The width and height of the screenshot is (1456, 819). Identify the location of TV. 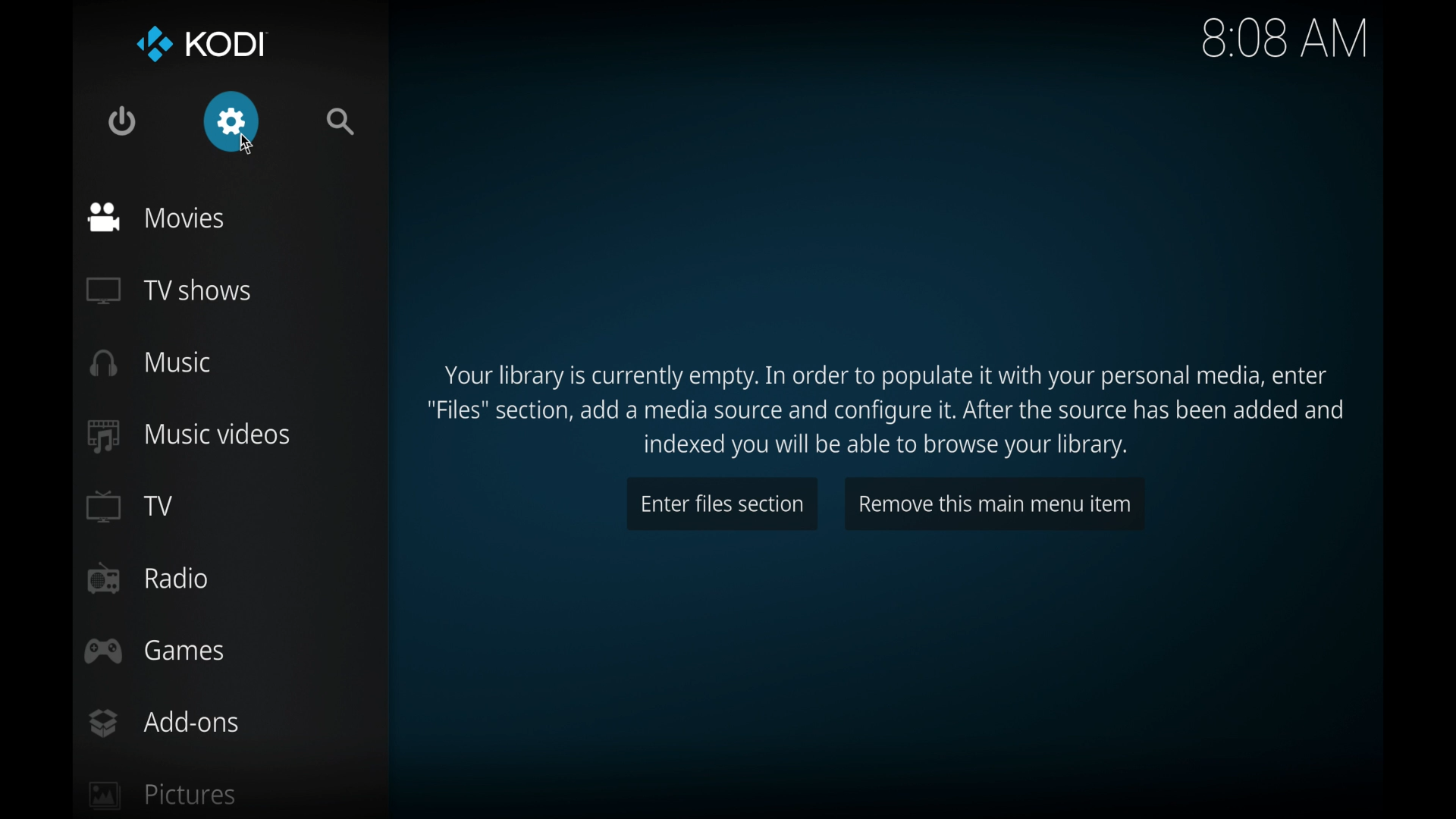
(130, 506).